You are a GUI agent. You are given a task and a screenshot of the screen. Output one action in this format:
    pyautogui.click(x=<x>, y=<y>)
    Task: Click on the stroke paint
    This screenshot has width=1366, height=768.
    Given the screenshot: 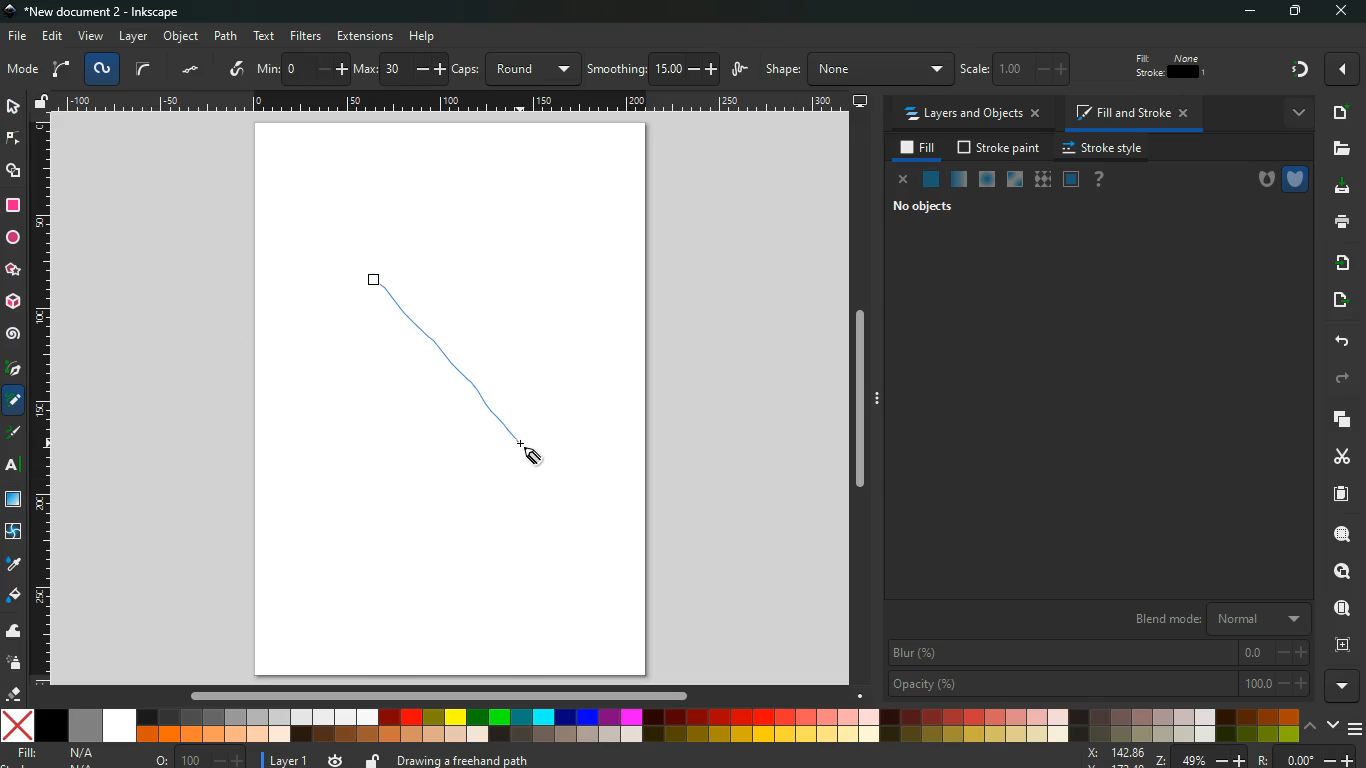 What is the action you would take?
    pyautogui.click(x=1001, y=147)
    